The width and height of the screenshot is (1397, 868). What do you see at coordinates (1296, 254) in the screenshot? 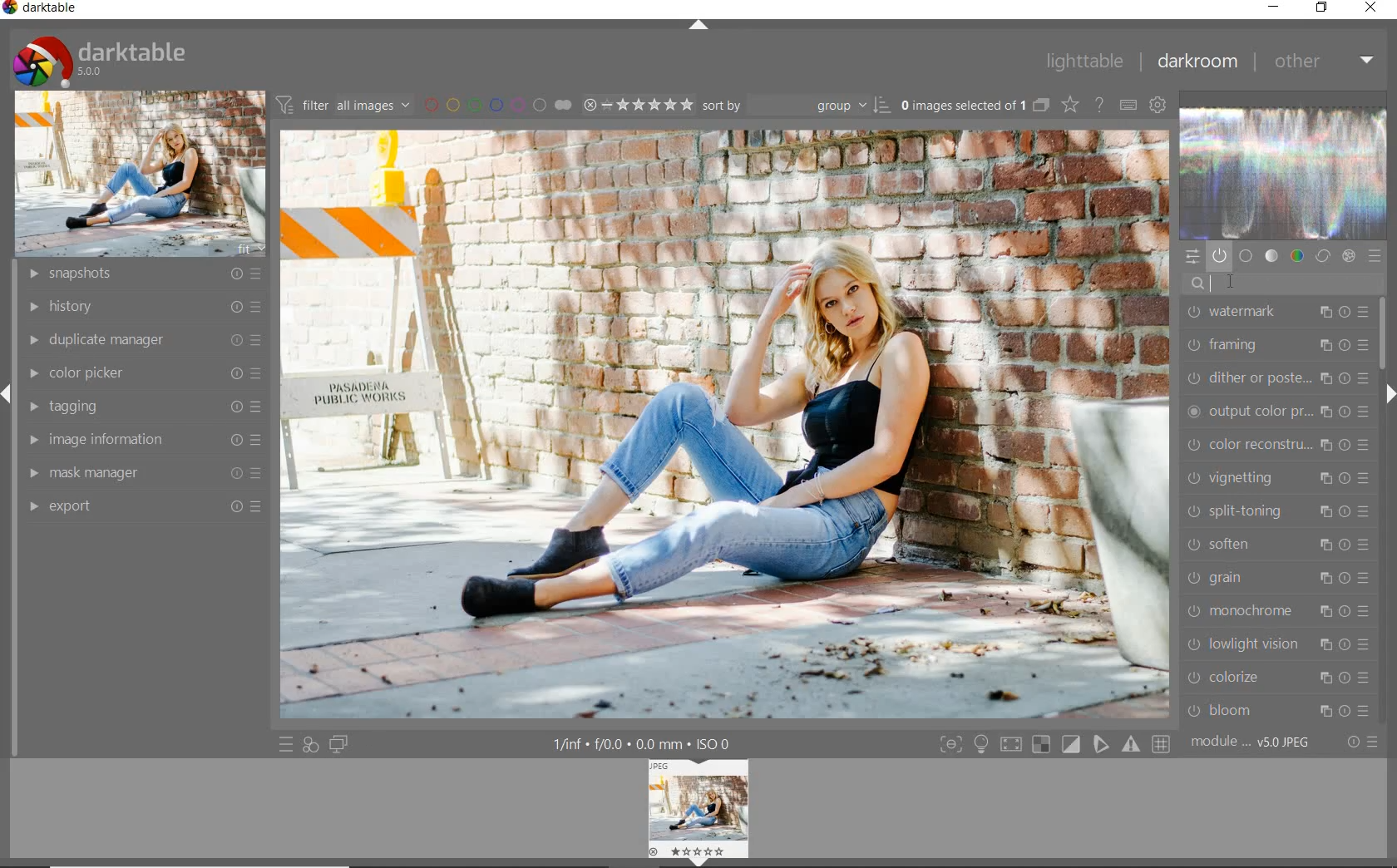
I see `color` at bounding box center [1296, 254].